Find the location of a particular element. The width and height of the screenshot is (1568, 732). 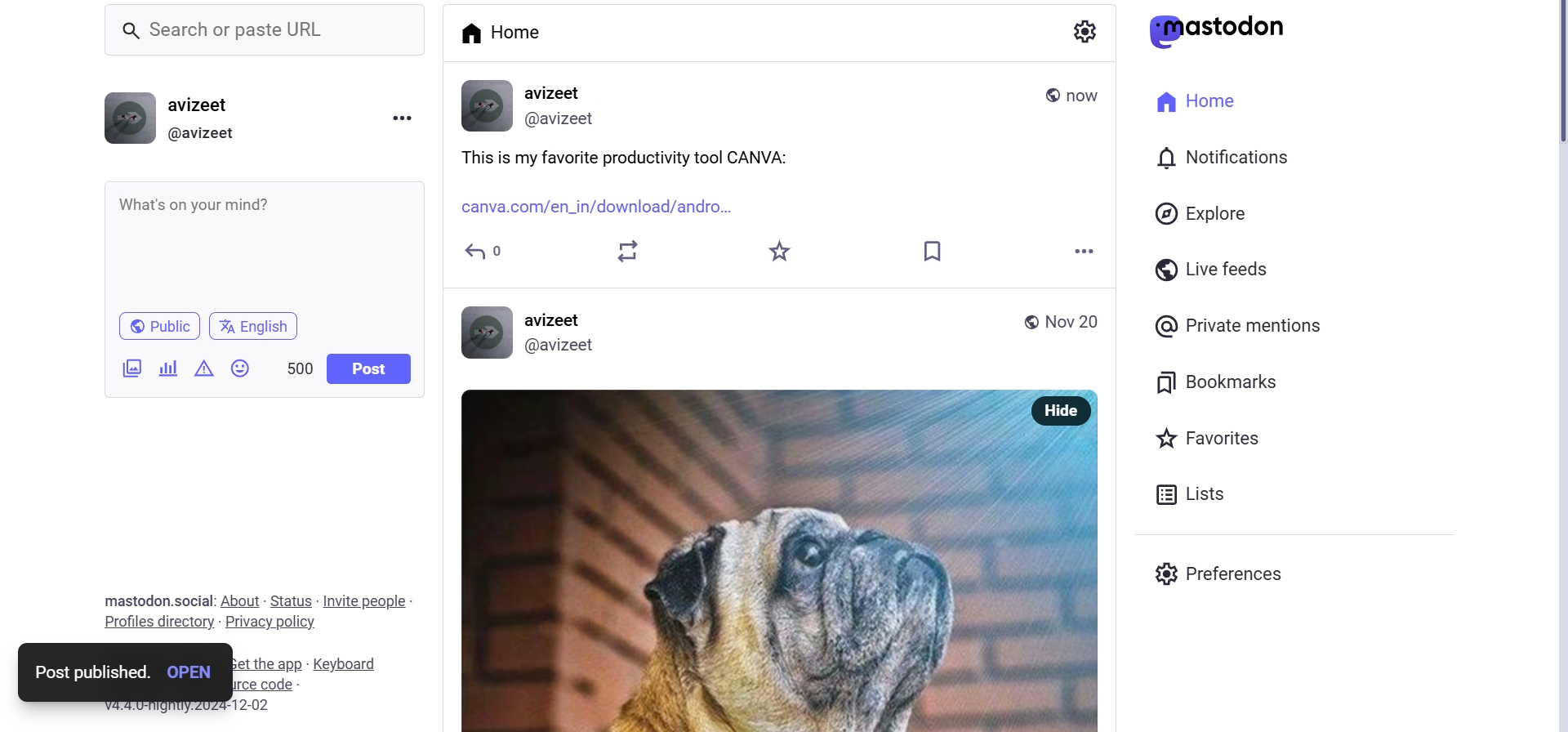

source code is located at coordinates (279, 685).